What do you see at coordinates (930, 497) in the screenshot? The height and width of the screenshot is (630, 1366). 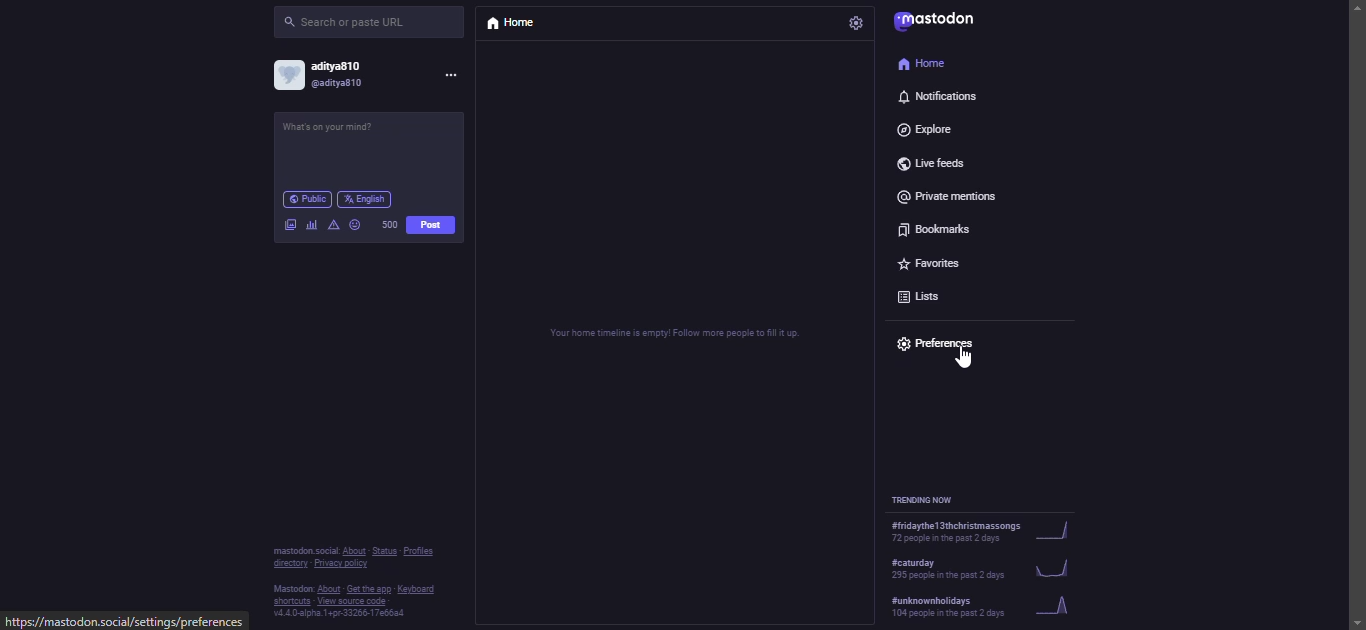 I see `trending` at bounding box center [930, 497].